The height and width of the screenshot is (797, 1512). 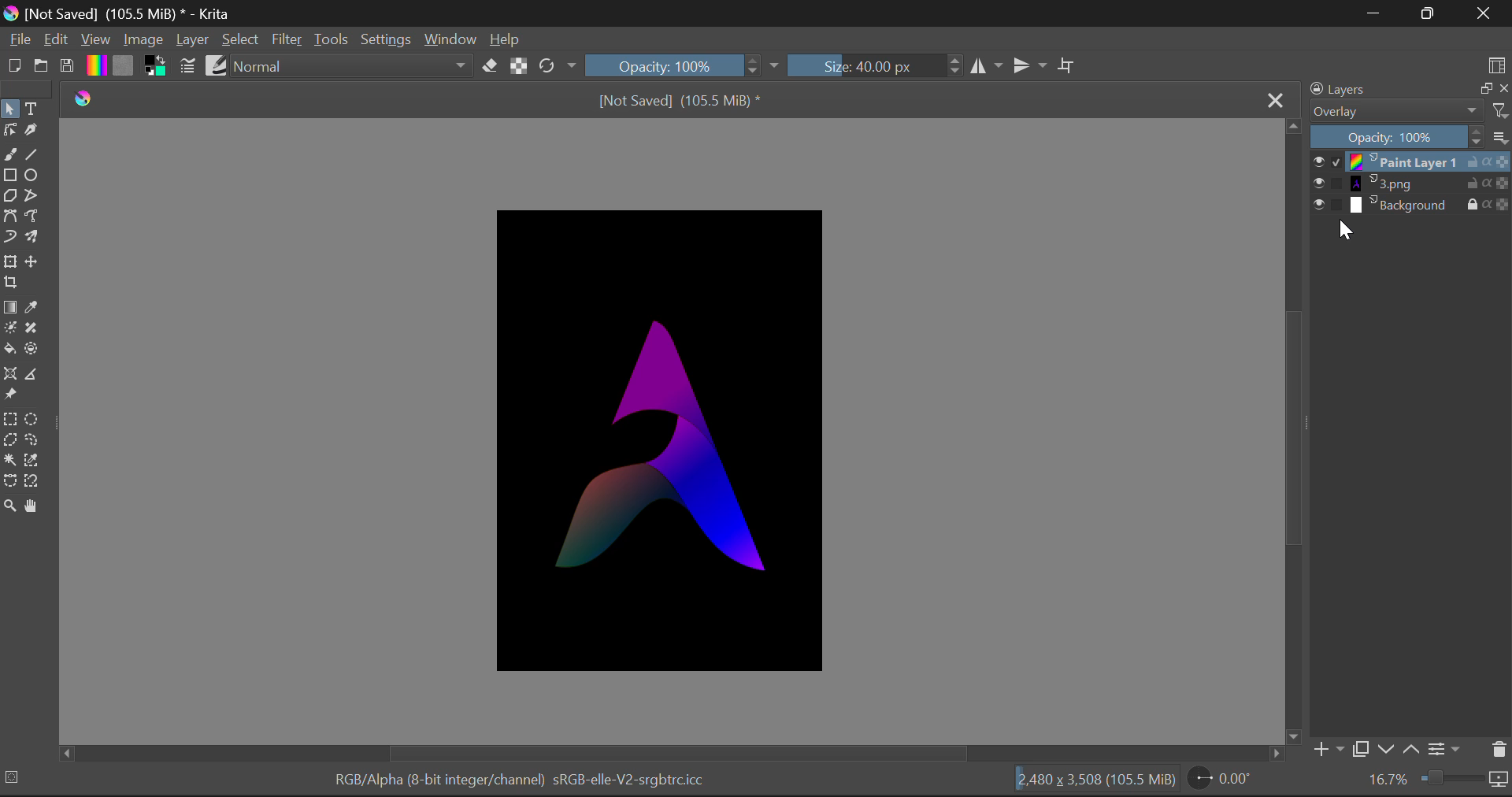 What do you see at coordinates (1378, 88) in the screenshot?
I see `Layers` at bounding box center [1378, 88].